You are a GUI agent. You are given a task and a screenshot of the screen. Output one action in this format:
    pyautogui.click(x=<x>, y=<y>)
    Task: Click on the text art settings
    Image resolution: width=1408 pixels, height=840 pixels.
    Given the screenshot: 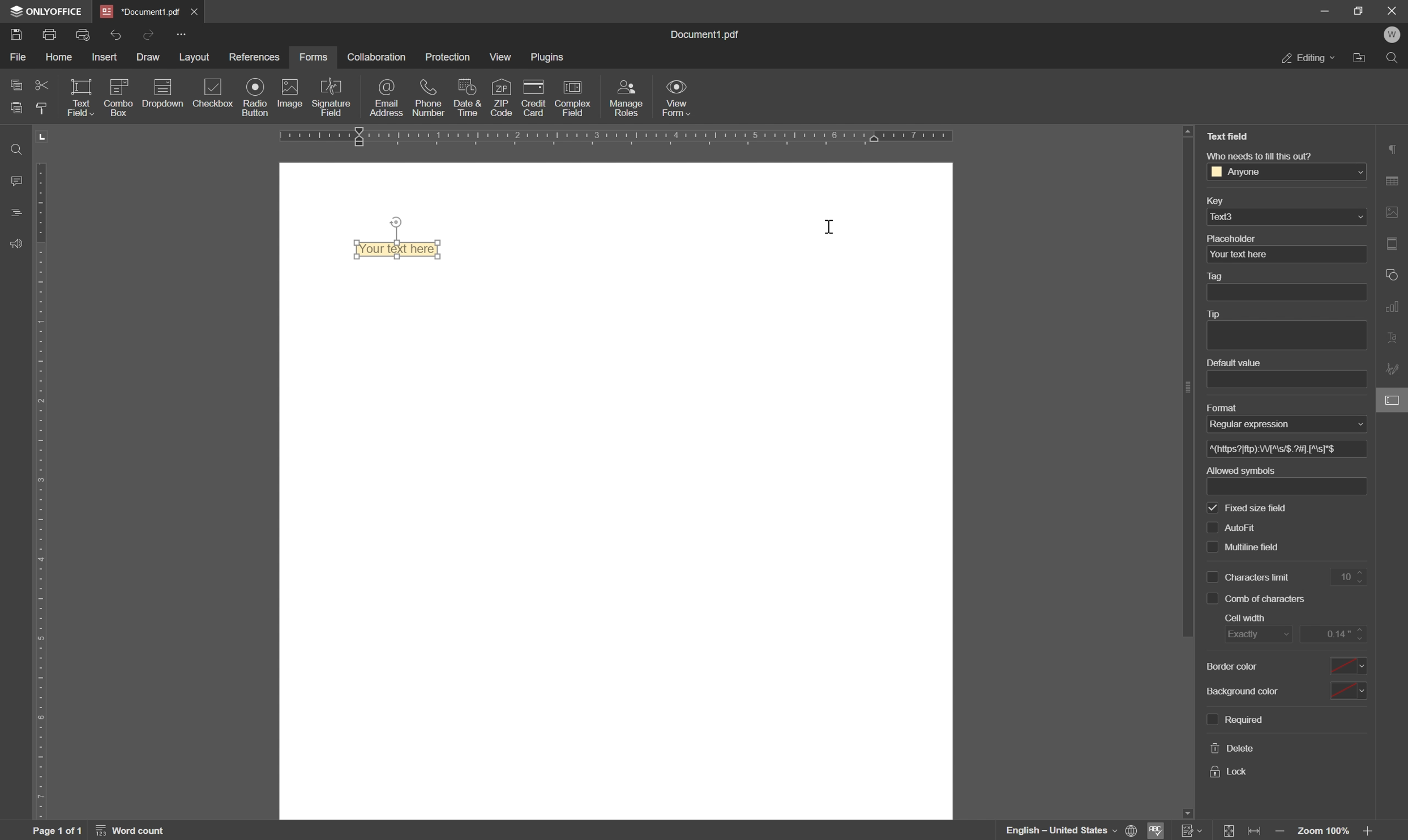 What is the action you would take?
    pyautogui.click(x=1395, y=340)
    